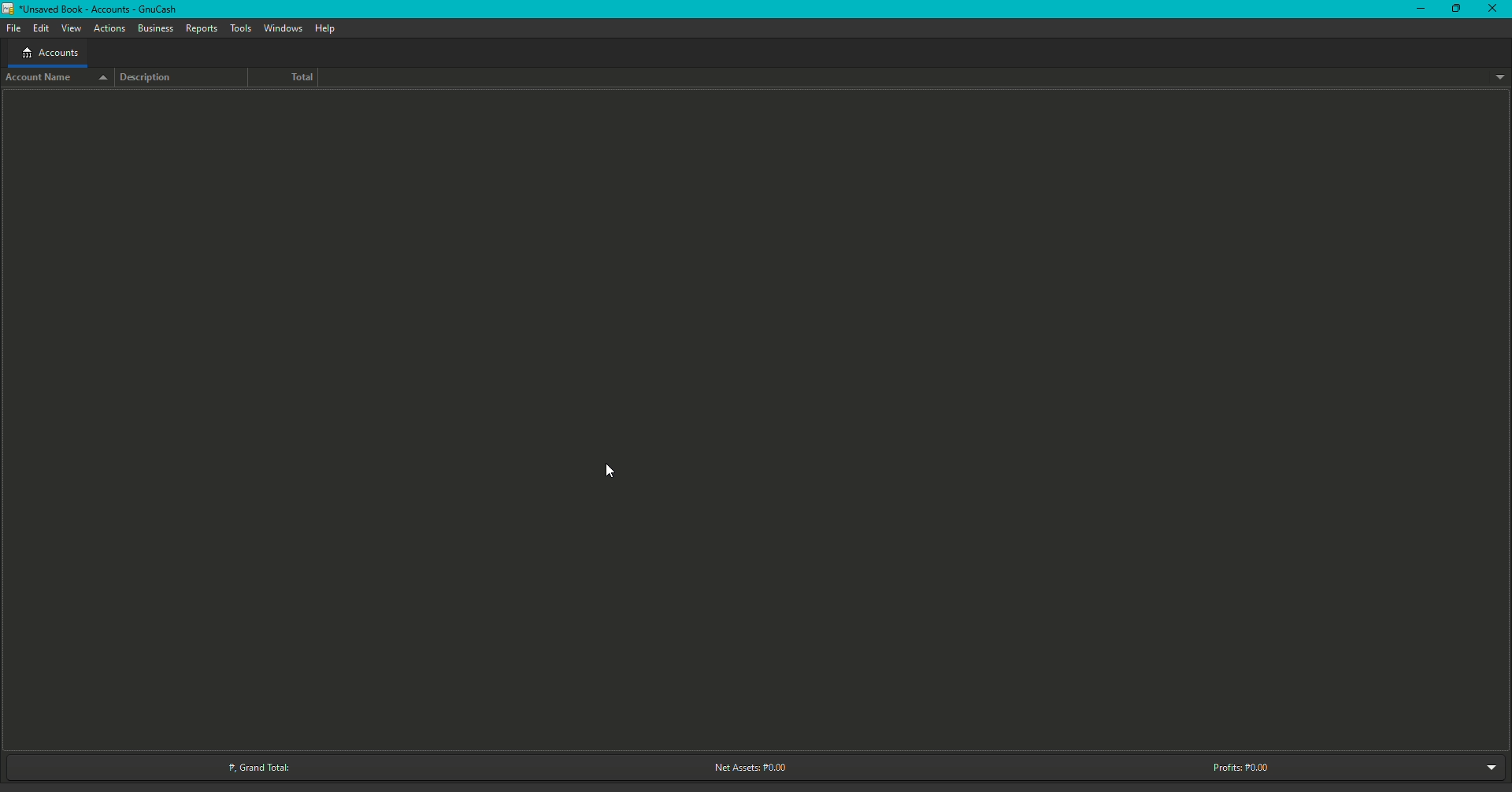 This screenshot has height=792, width=1512. I want to click on Description, so click(155, 77).